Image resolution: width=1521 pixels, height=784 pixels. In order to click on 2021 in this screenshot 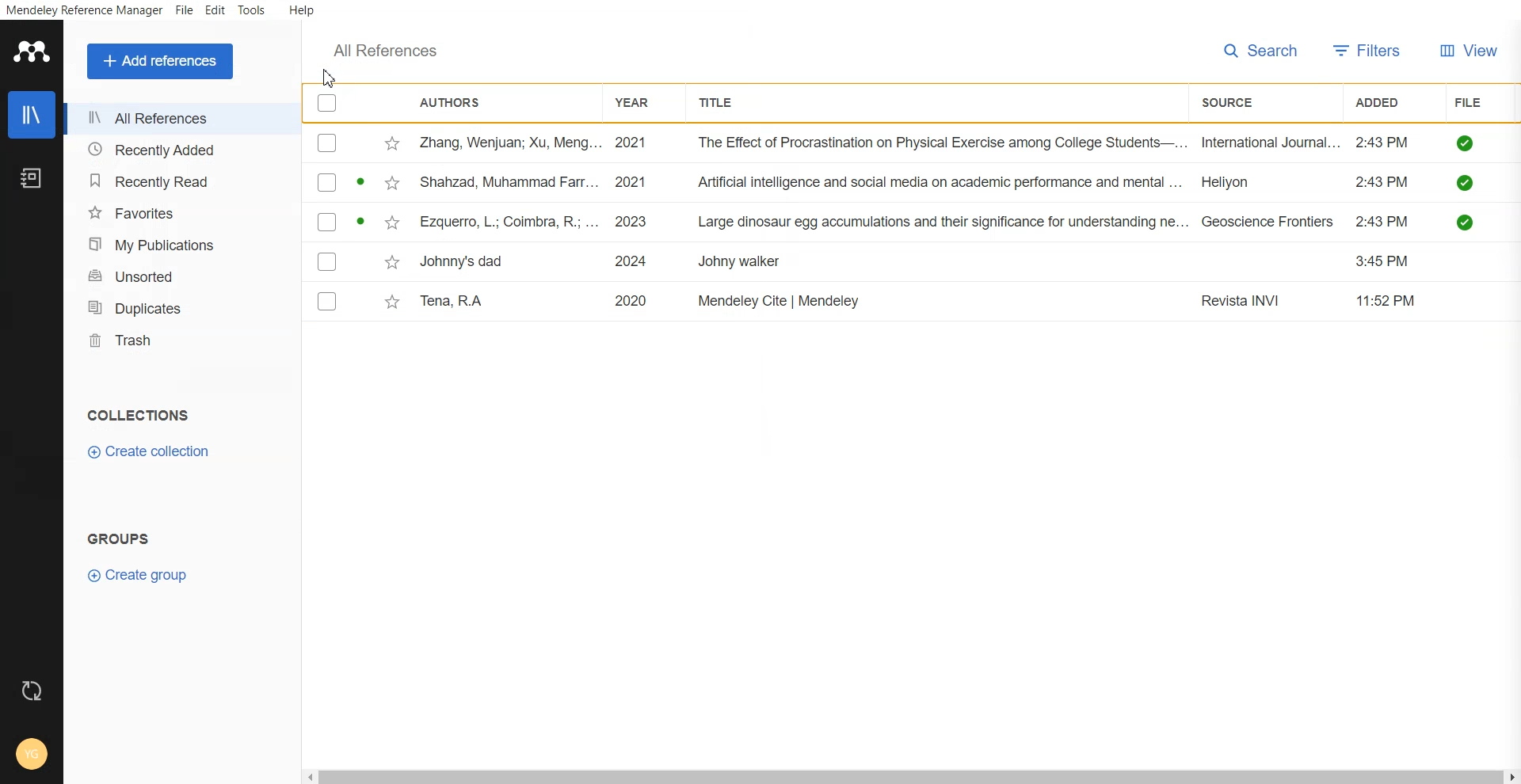, I will do `click(635, 181)`.